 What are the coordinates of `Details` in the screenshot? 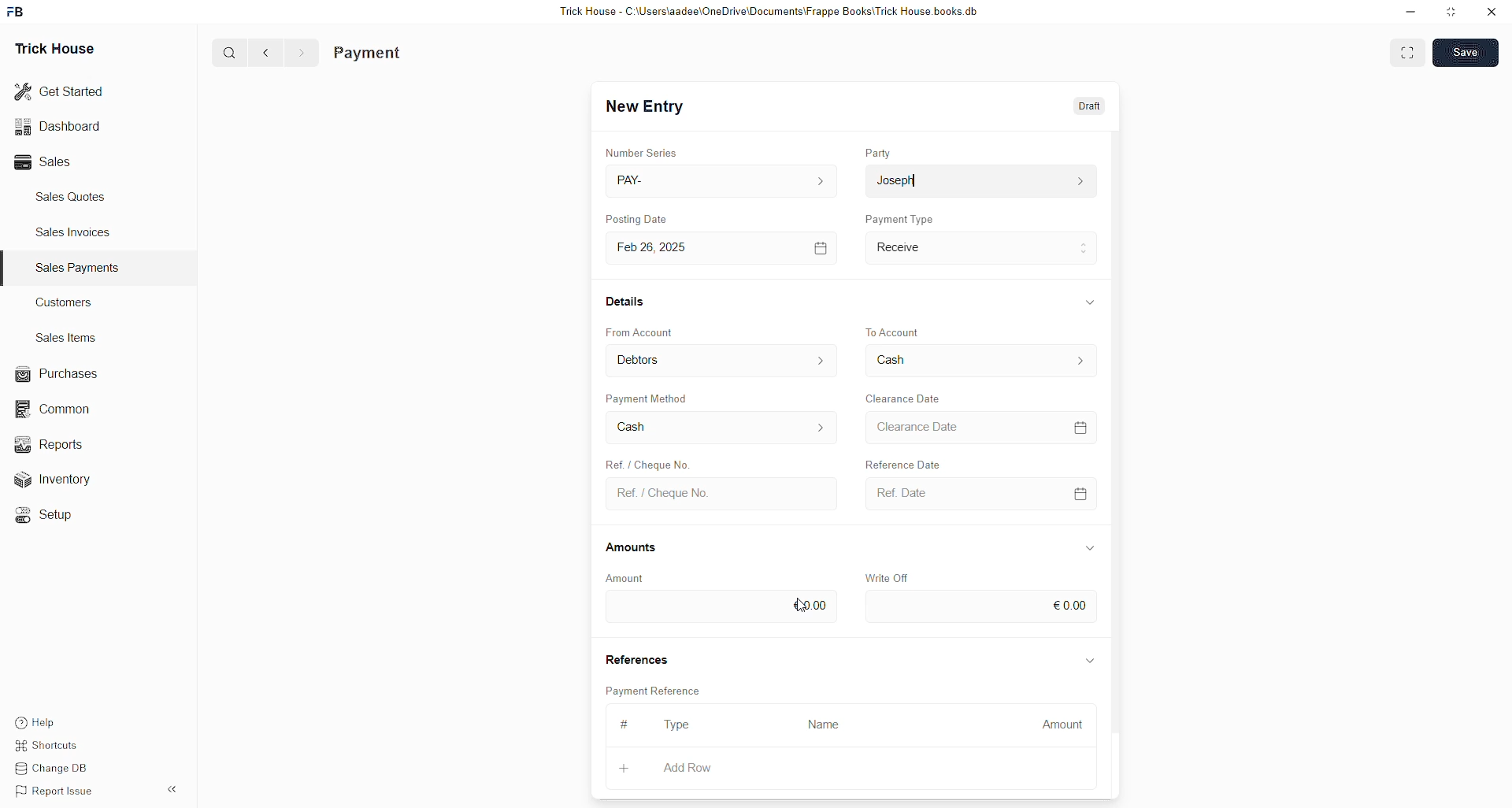 It's located at (627, 301).